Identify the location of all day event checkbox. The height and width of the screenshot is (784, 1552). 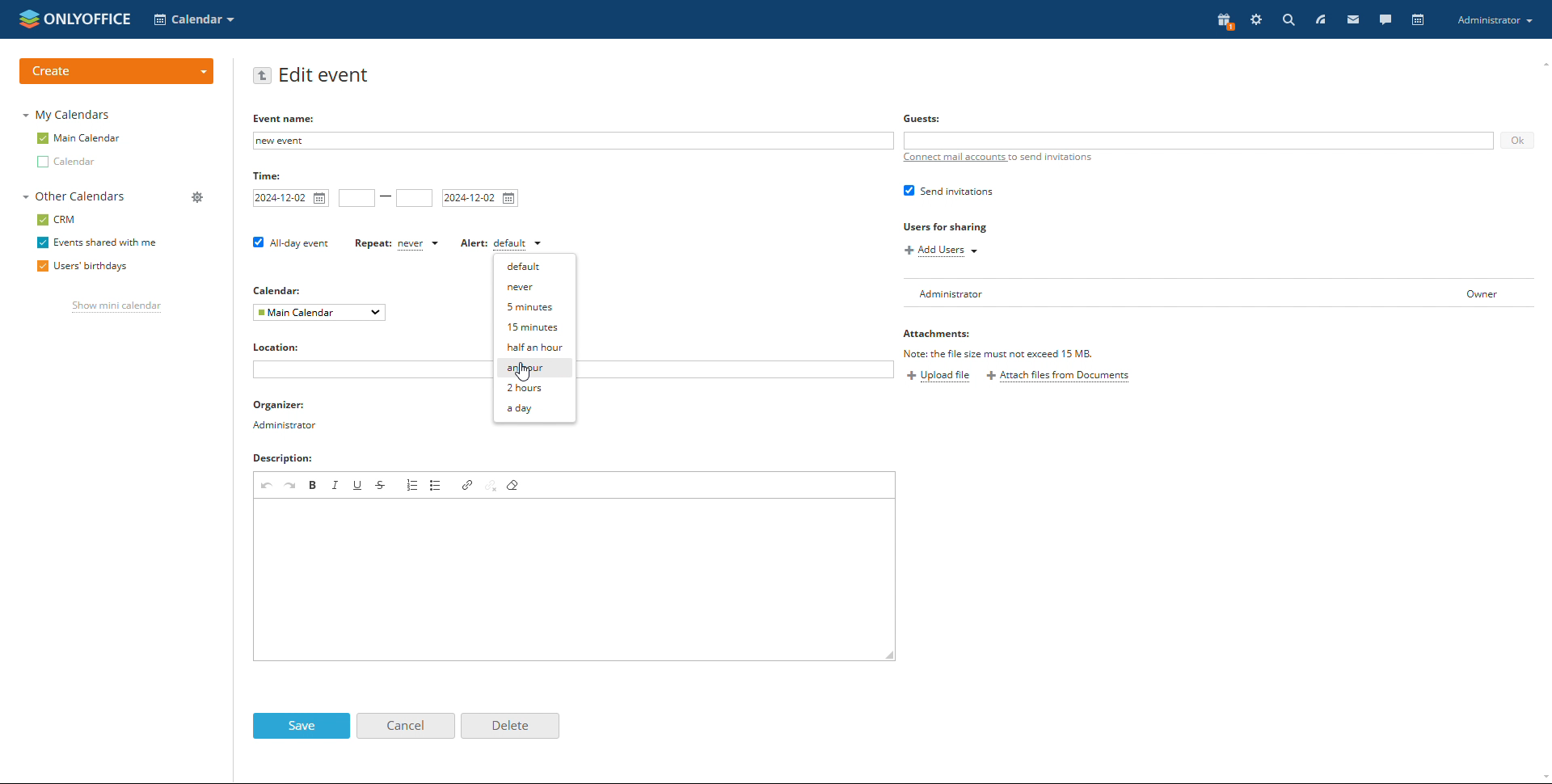
(291, 242).